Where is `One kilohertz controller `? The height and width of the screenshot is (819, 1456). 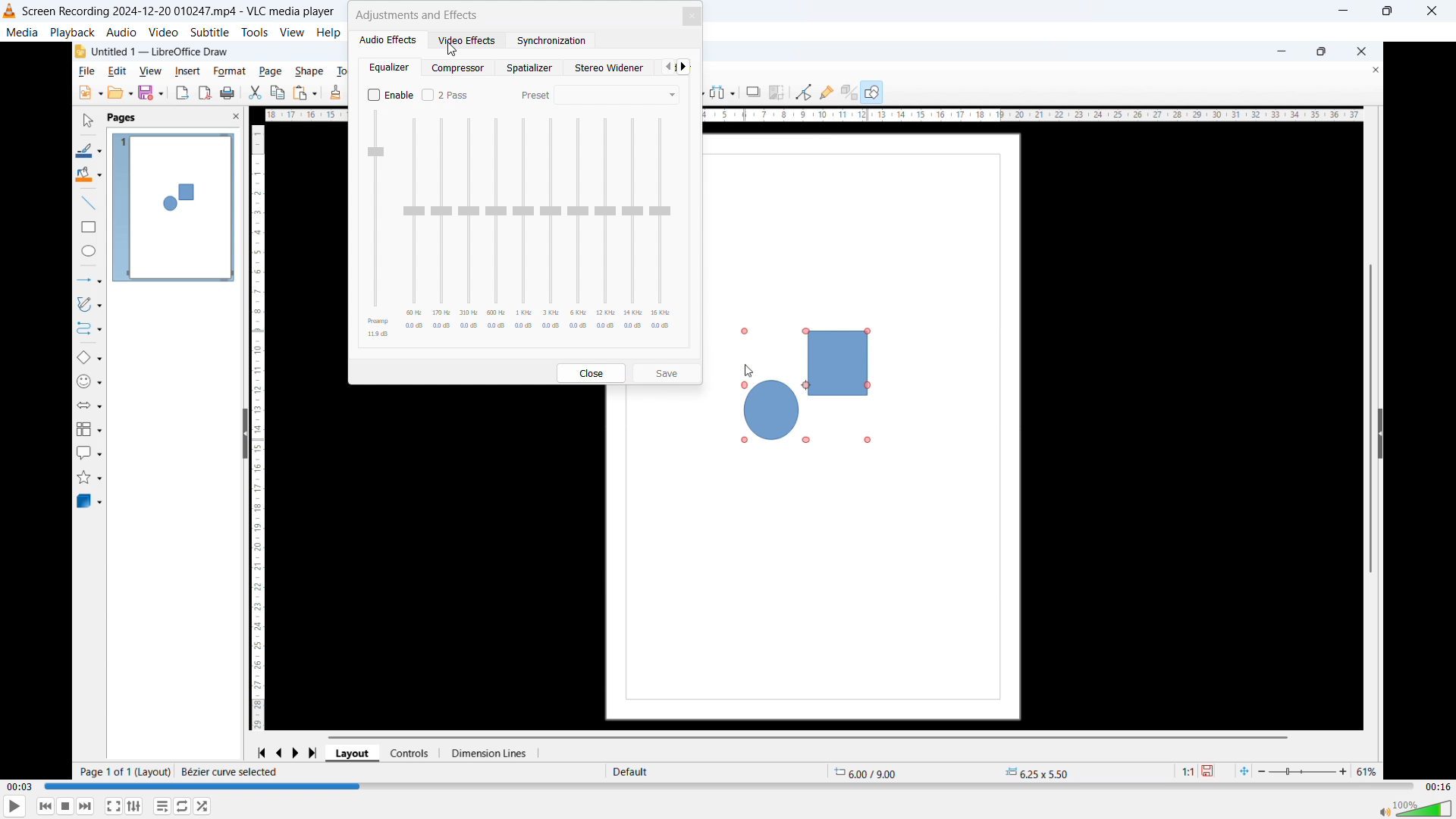 One kilohertz controller  is located at coordinates (524, 227).